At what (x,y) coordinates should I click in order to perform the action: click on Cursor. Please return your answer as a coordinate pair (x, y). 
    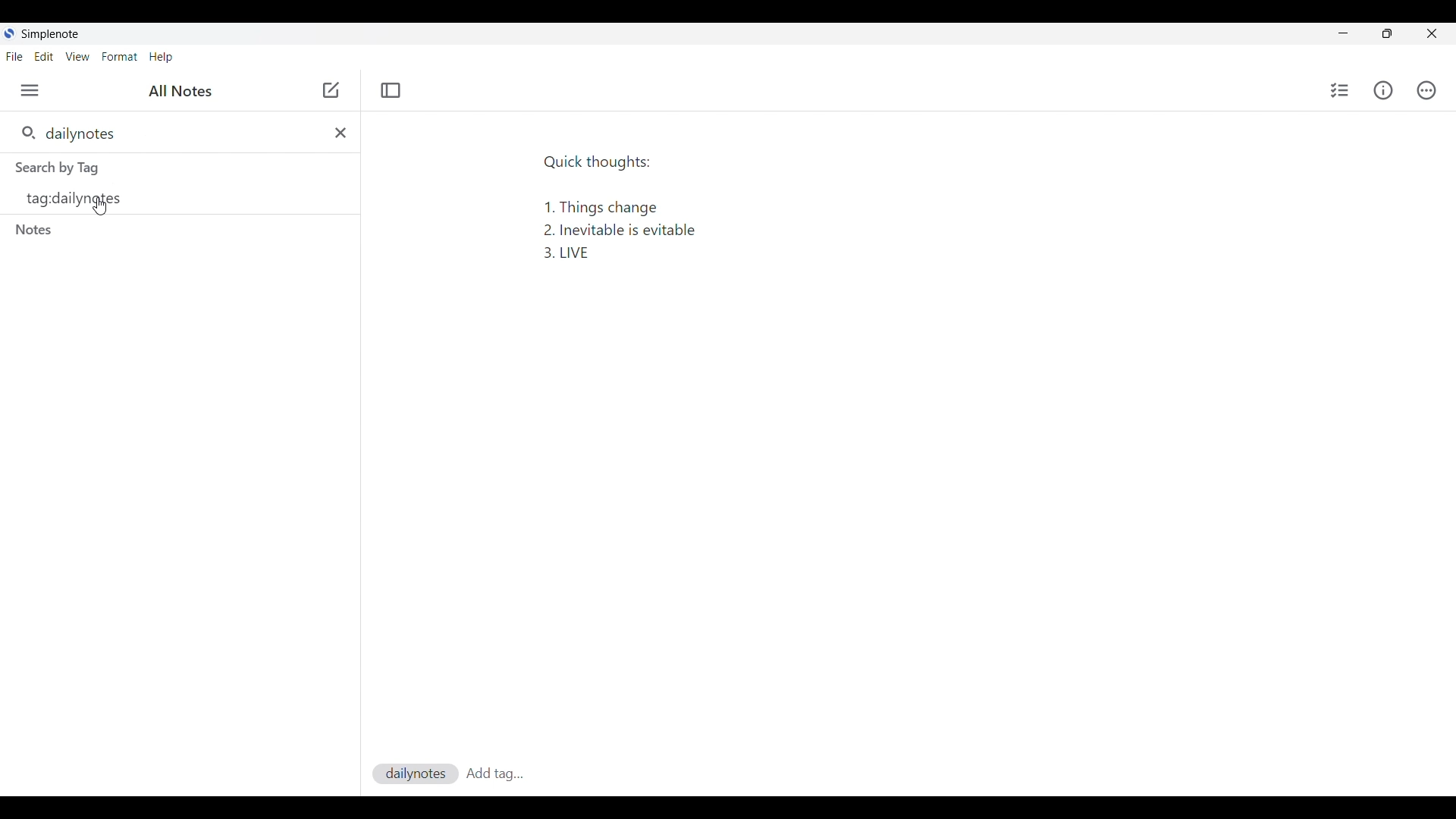
    Looking at the image, I should click on (97, 206).